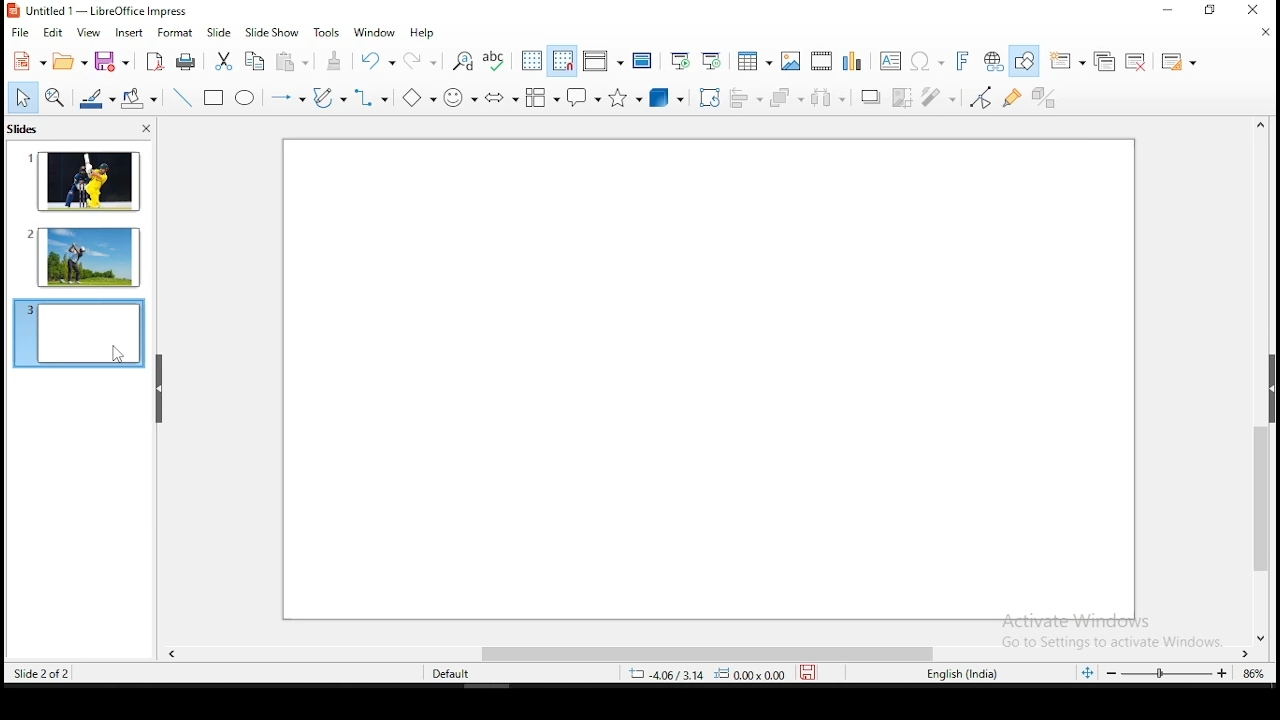 This screenshot has width=1280, height=720. Describe the element at coordinates (46, 673) in the screenshot. I see `slide 2 of 2` at that location.